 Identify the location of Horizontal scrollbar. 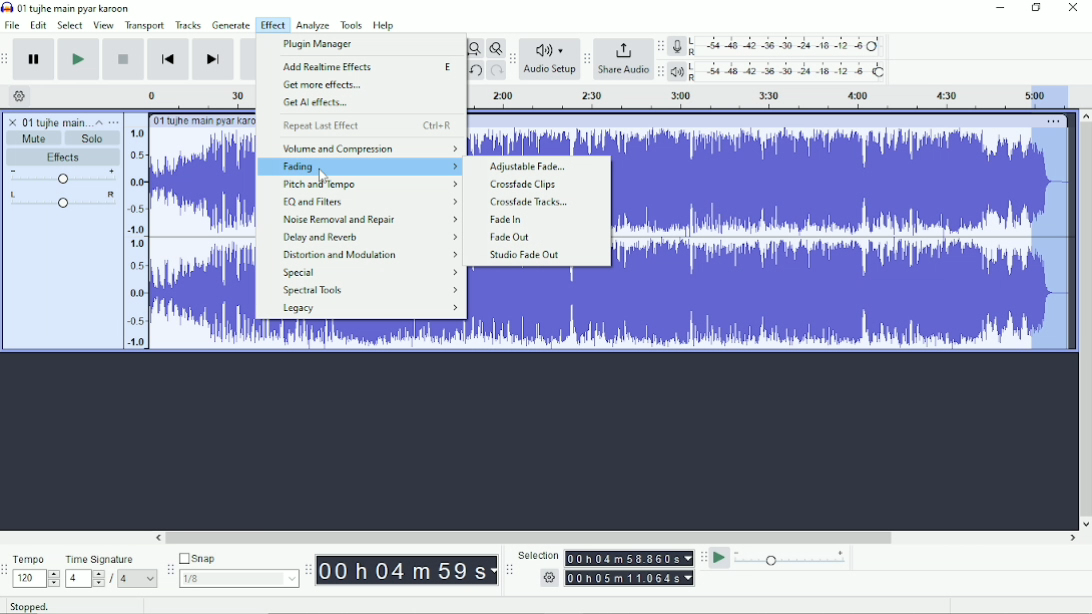
(616, 538).